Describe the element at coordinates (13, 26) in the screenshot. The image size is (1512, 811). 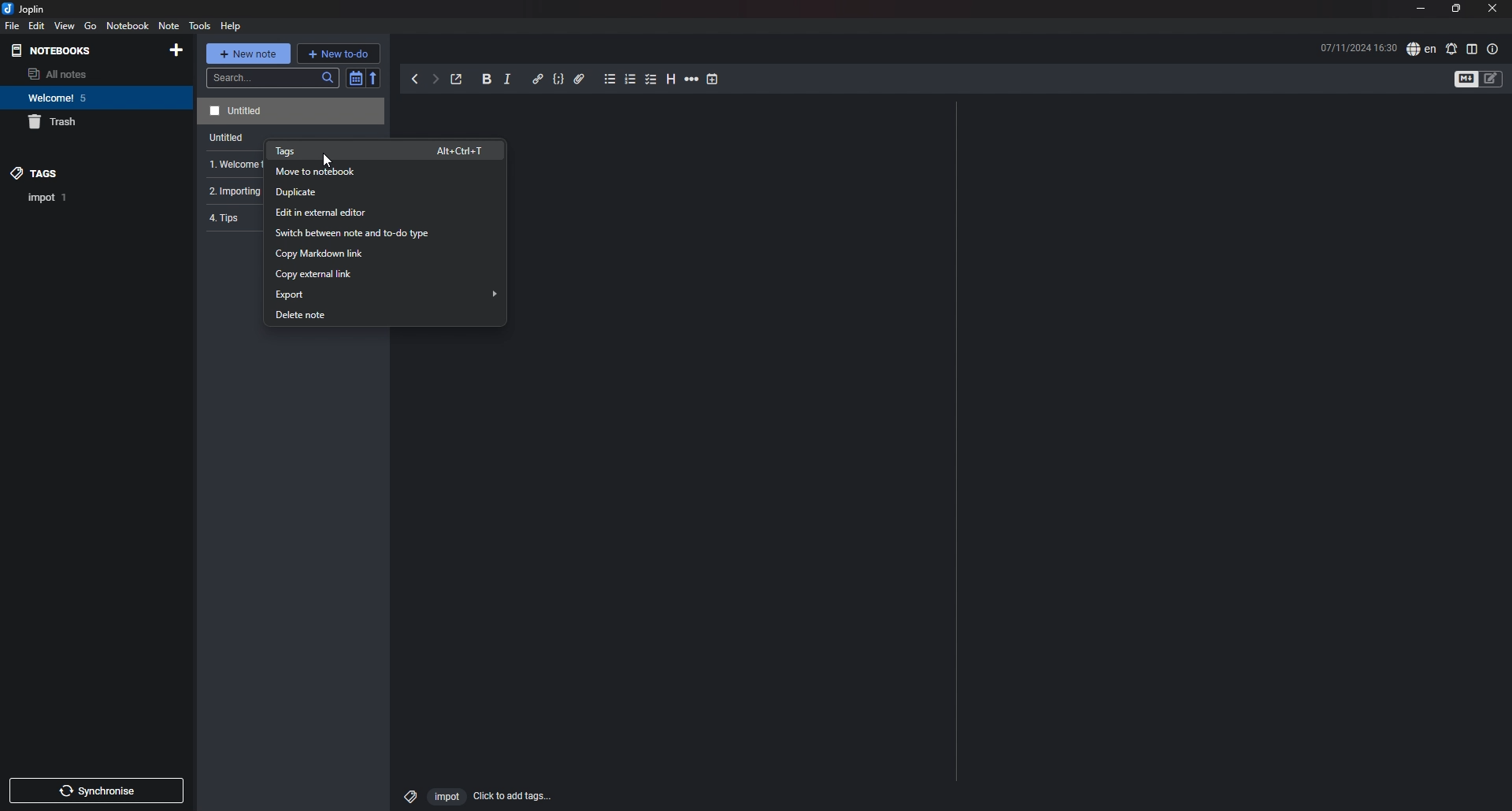
I see `file` at that location.